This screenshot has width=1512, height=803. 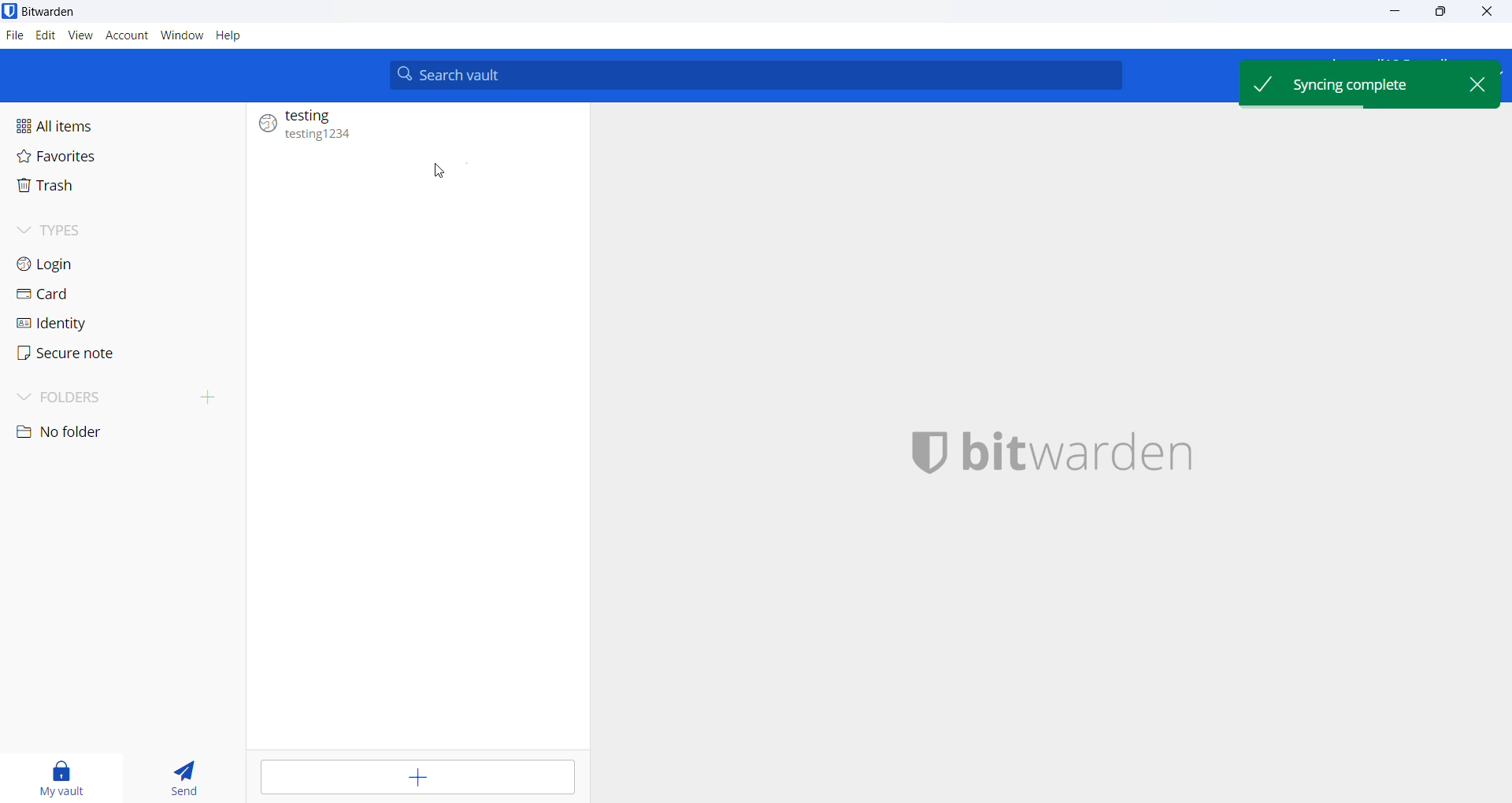 What do you see at coordinates (179, 35) in the screenshot?
I see `window` at bounding box center [179, 35].